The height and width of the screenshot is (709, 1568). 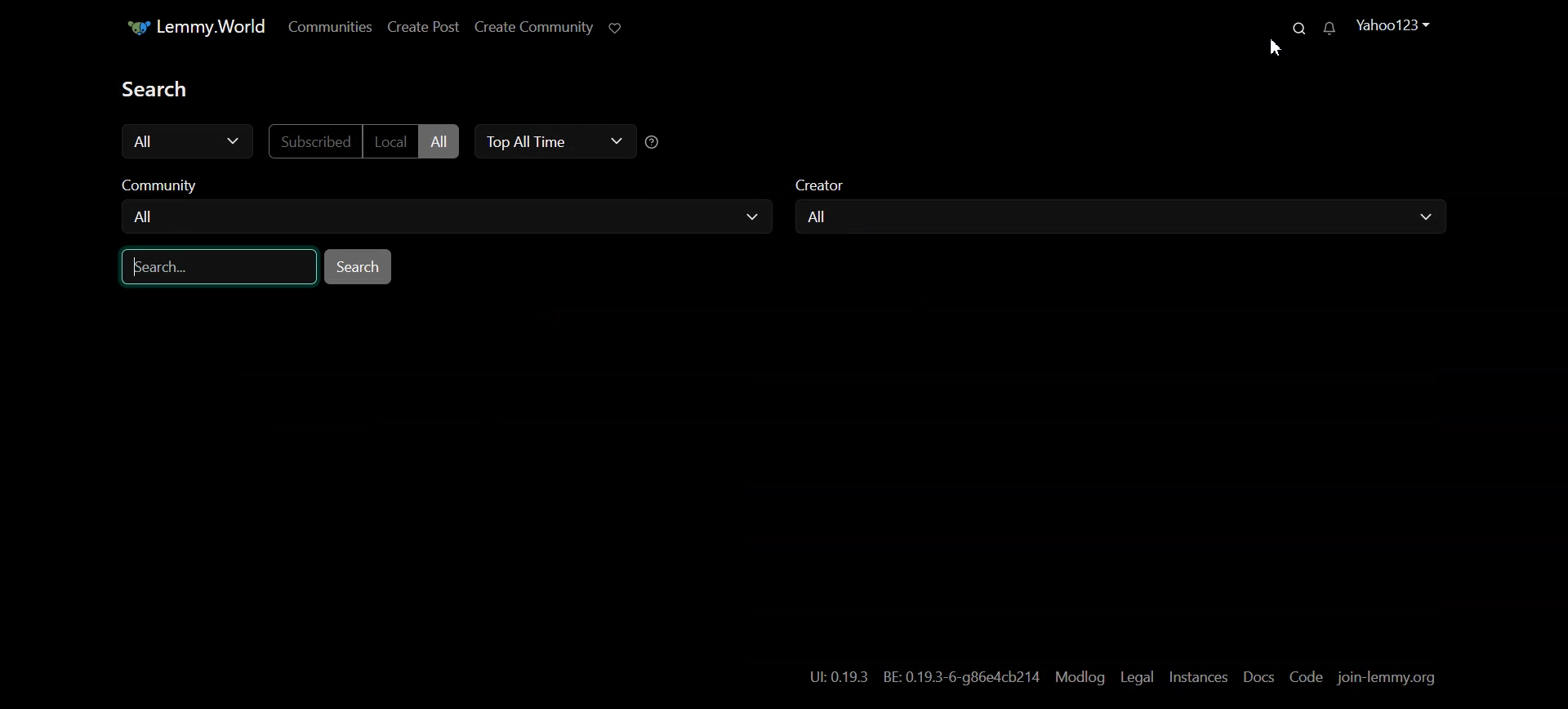 What do you see at coordinates (390, 141) in the screenshot?
I see `Local` at bounding box center [390, 141].